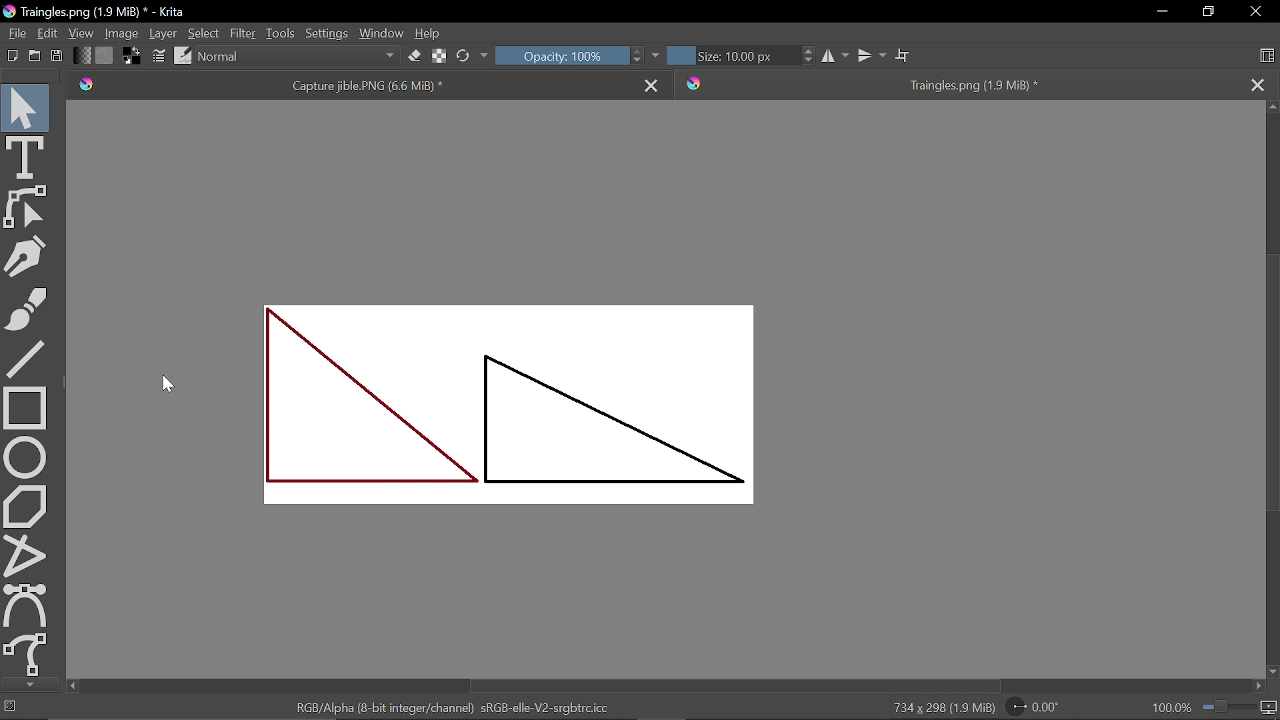 The image size is (1280, 720). Describe the element at coordinates (28, 653) in the screenshot. I see `Freehand path tool` at that location.